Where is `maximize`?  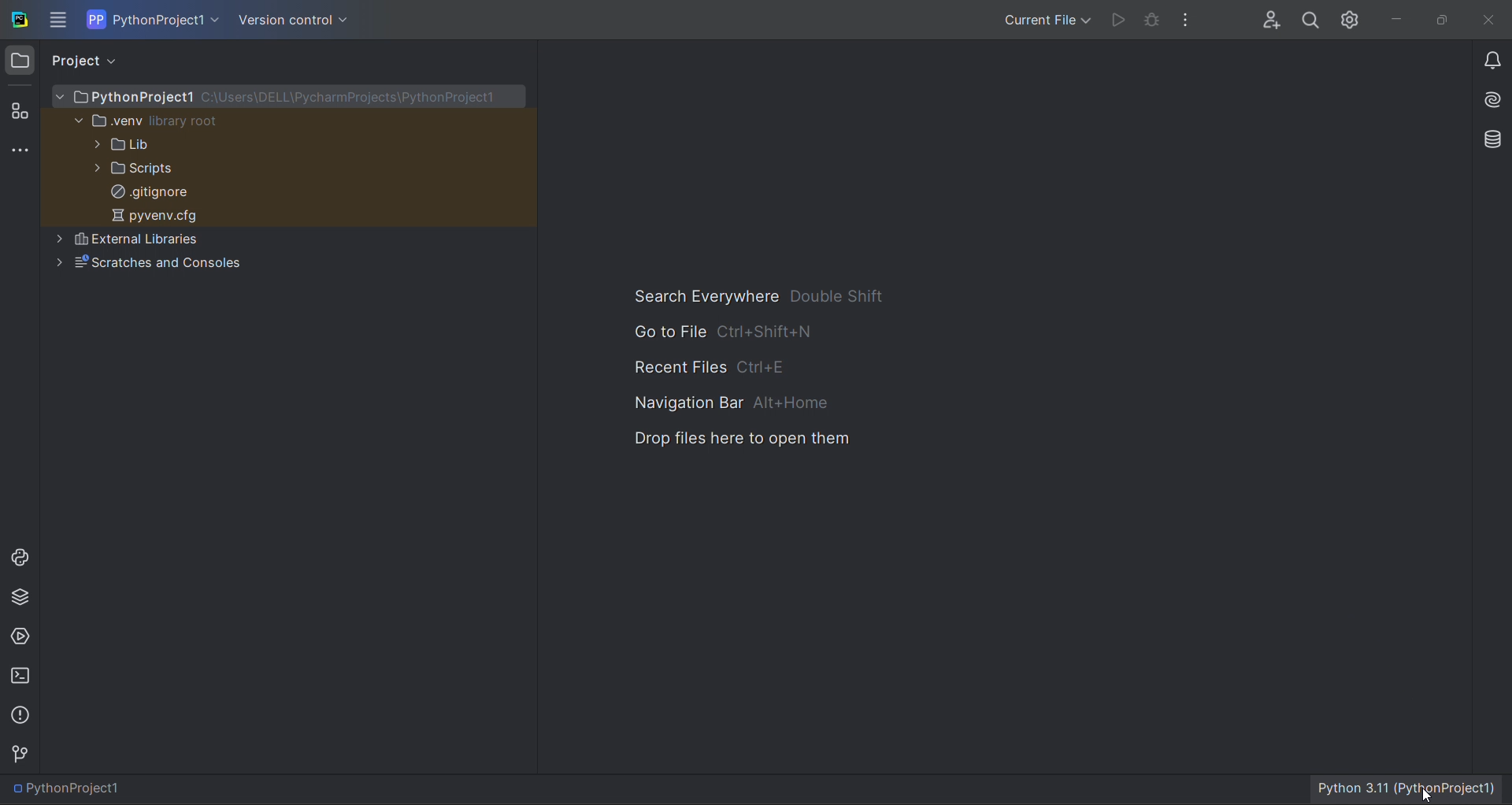 maximize is located at coordinates (1440, 20).